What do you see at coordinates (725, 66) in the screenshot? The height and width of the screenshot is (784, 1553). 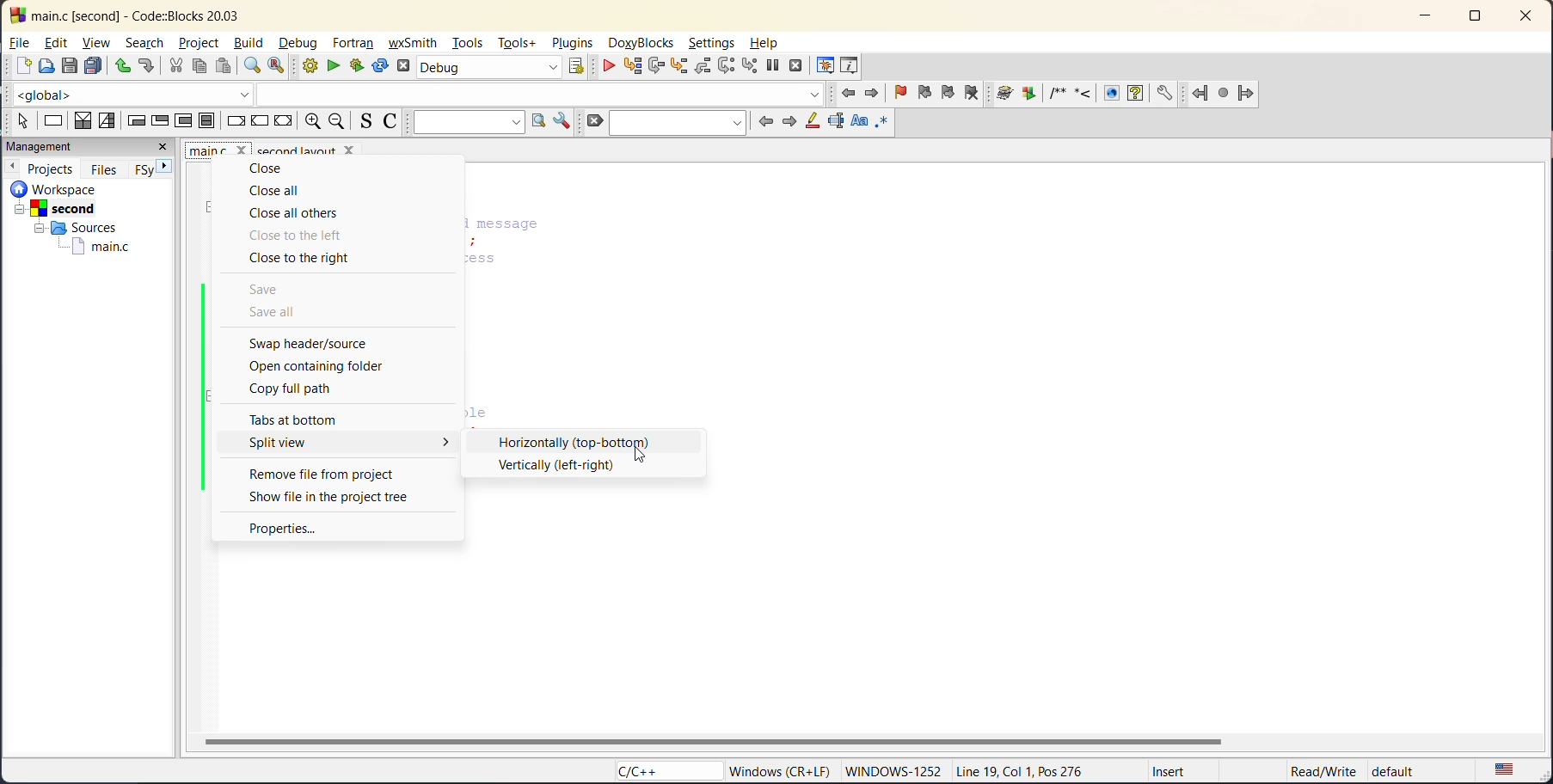 I see `next instruction` at bounding box center [725, 66].